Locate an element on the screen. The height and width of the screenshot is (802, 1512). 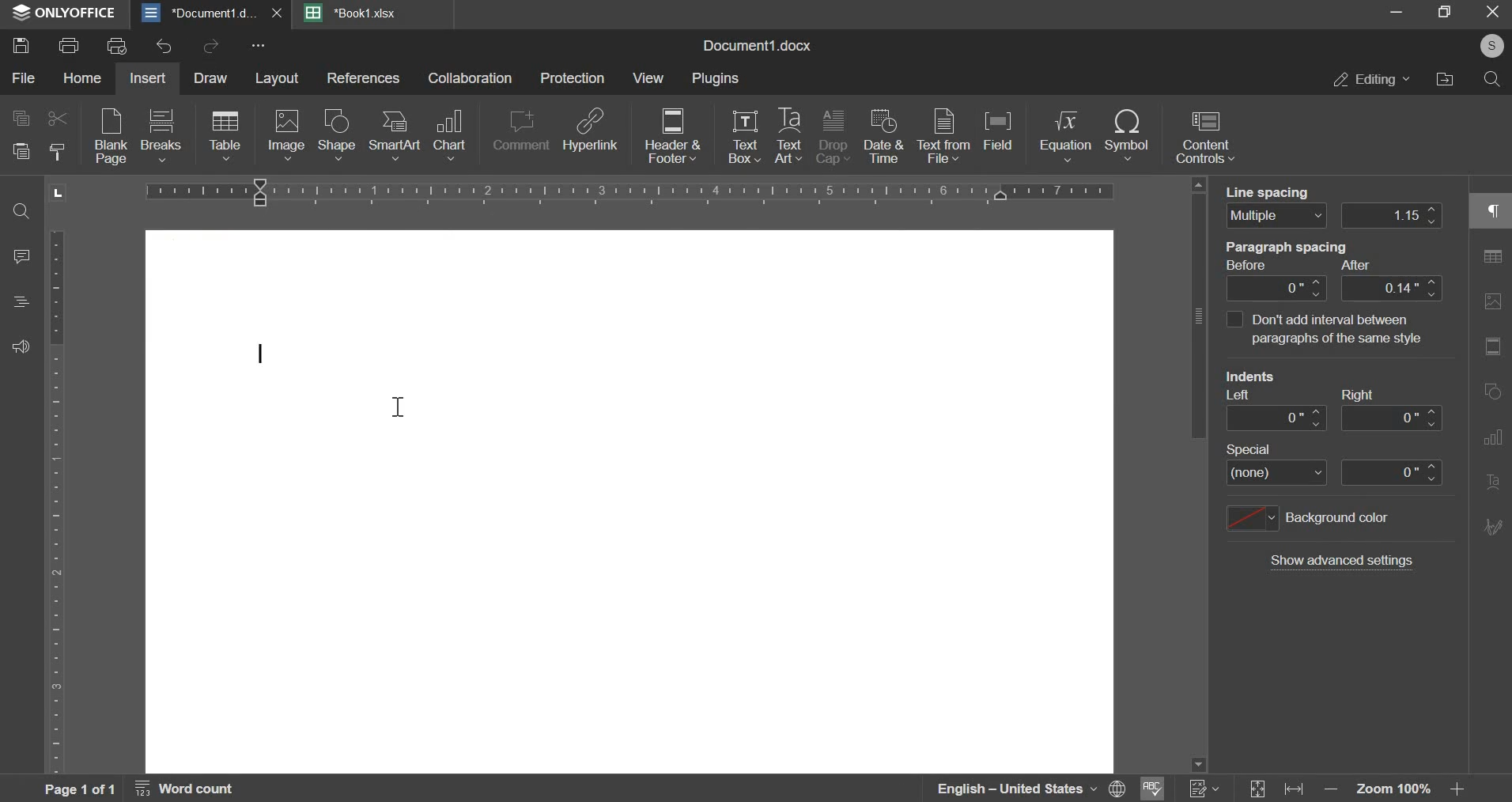
minimize is located at coordinates (1399, 16).